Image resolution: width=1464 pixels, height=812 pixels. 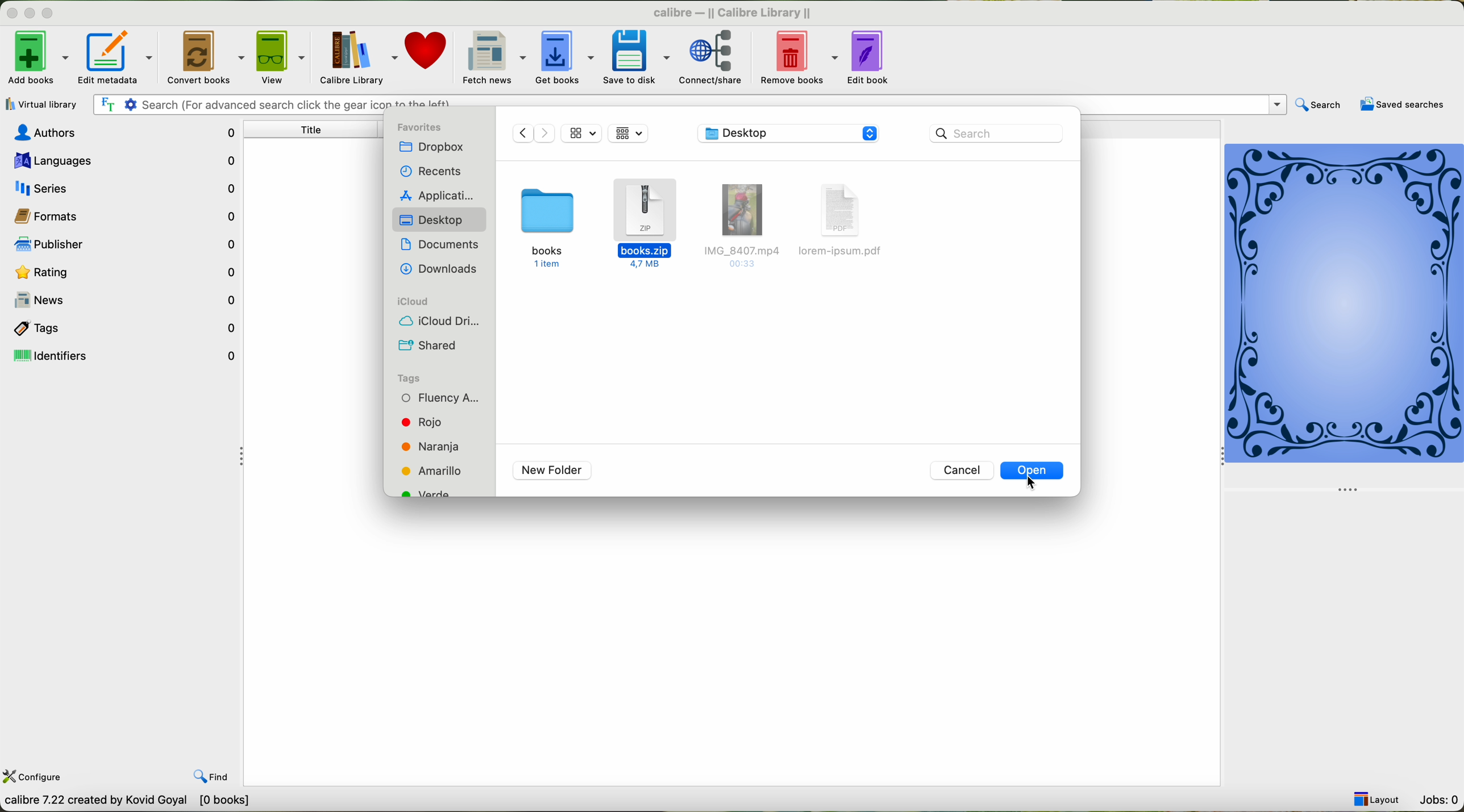 I want to click on open button, so click(x=1039, y=470).